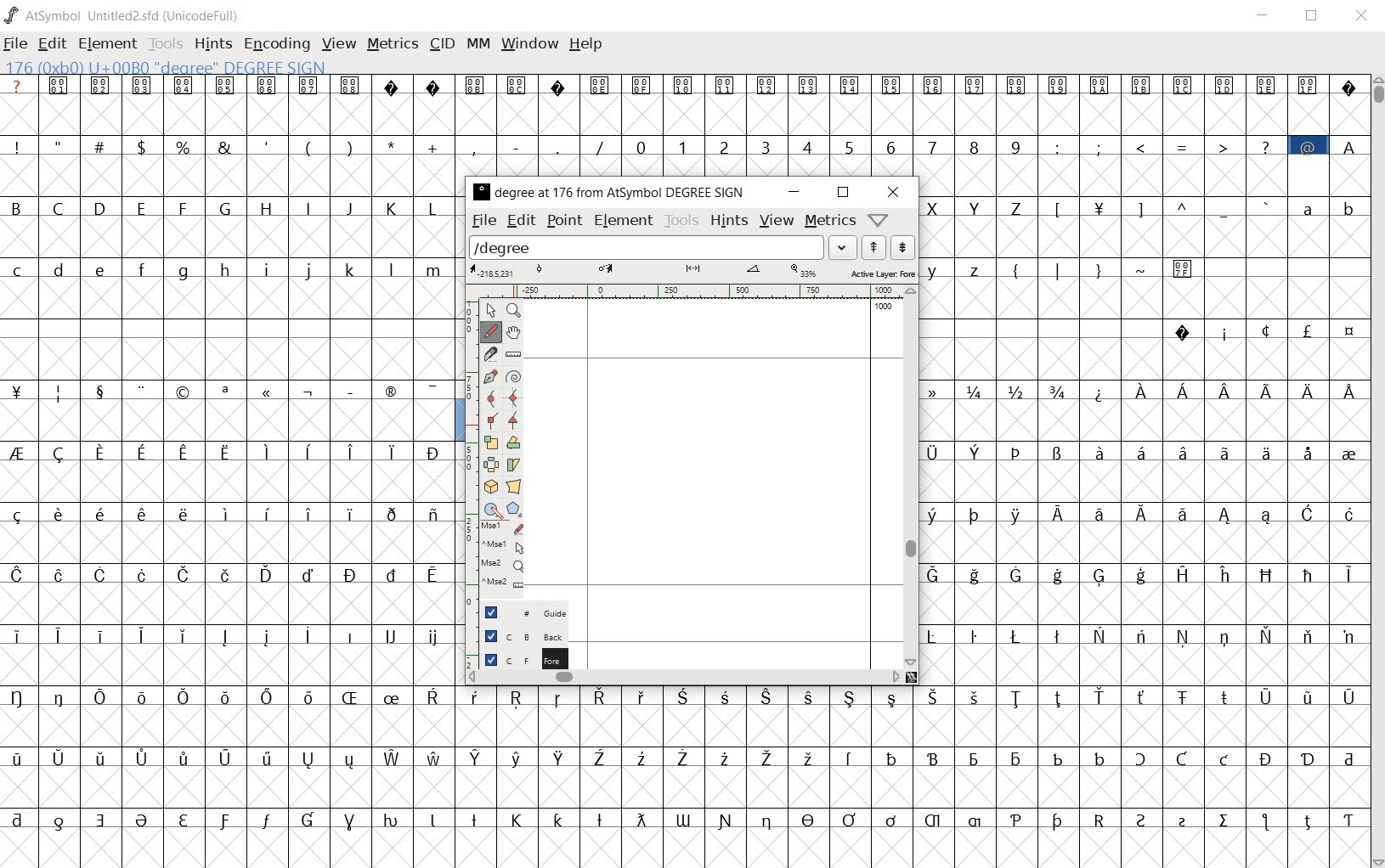 The image size is (1385, 868). Describe the element at coordinates (1139, 421) in the screenshot. I see `empty glyph slots` at that location.